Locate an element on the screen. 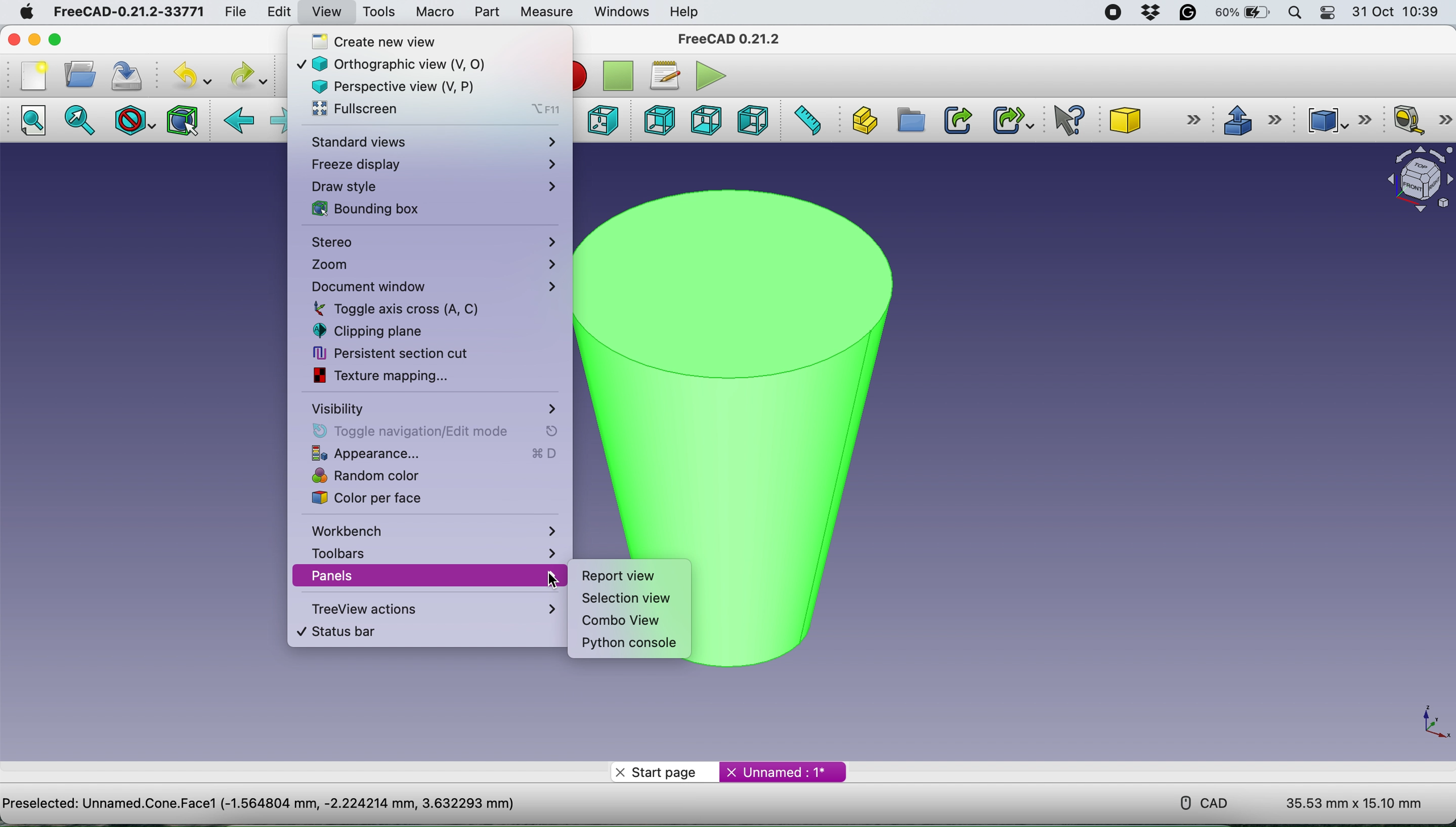  spotlight search is located at coordinates (1295, 12).